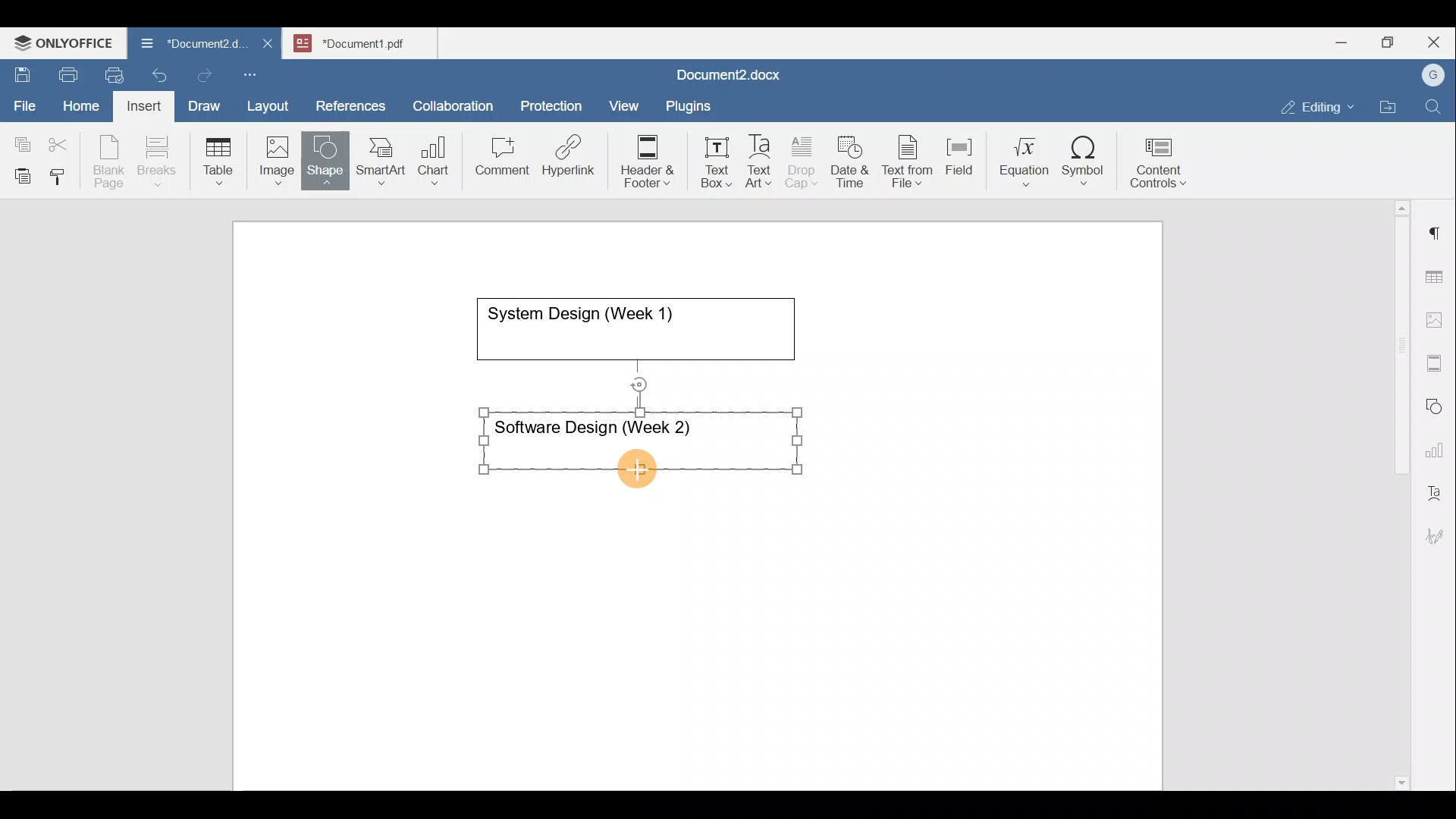 Image resolution: width=1456 pixels, height=819 pixels. What do you see at coordinates (910, 160) in the screenshot?
I see `Text from file` at bounding box center [910, 160].